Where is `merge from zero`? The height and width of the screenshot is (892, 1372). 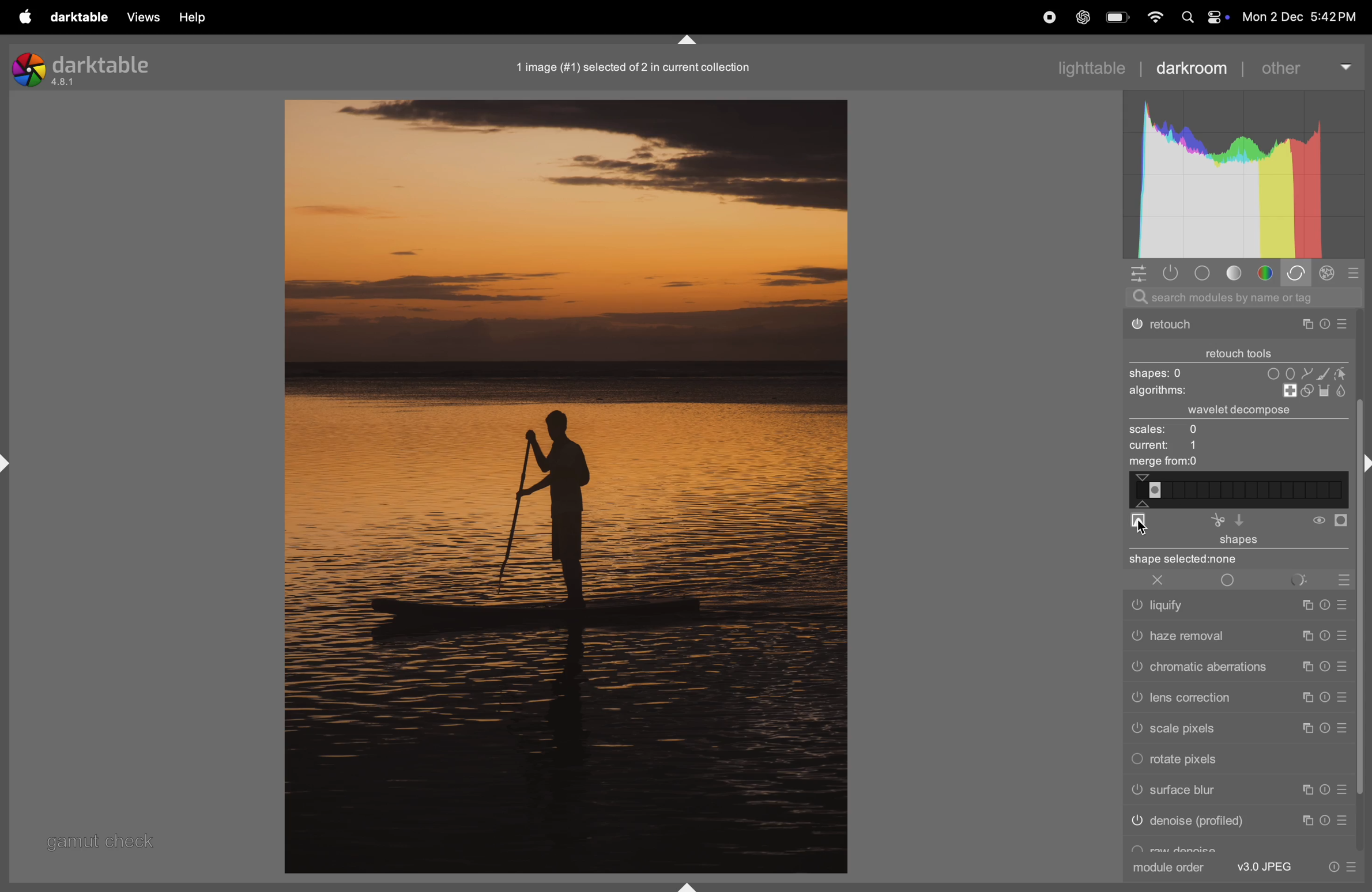
merge from zero is located at coordinates (1162, 463).